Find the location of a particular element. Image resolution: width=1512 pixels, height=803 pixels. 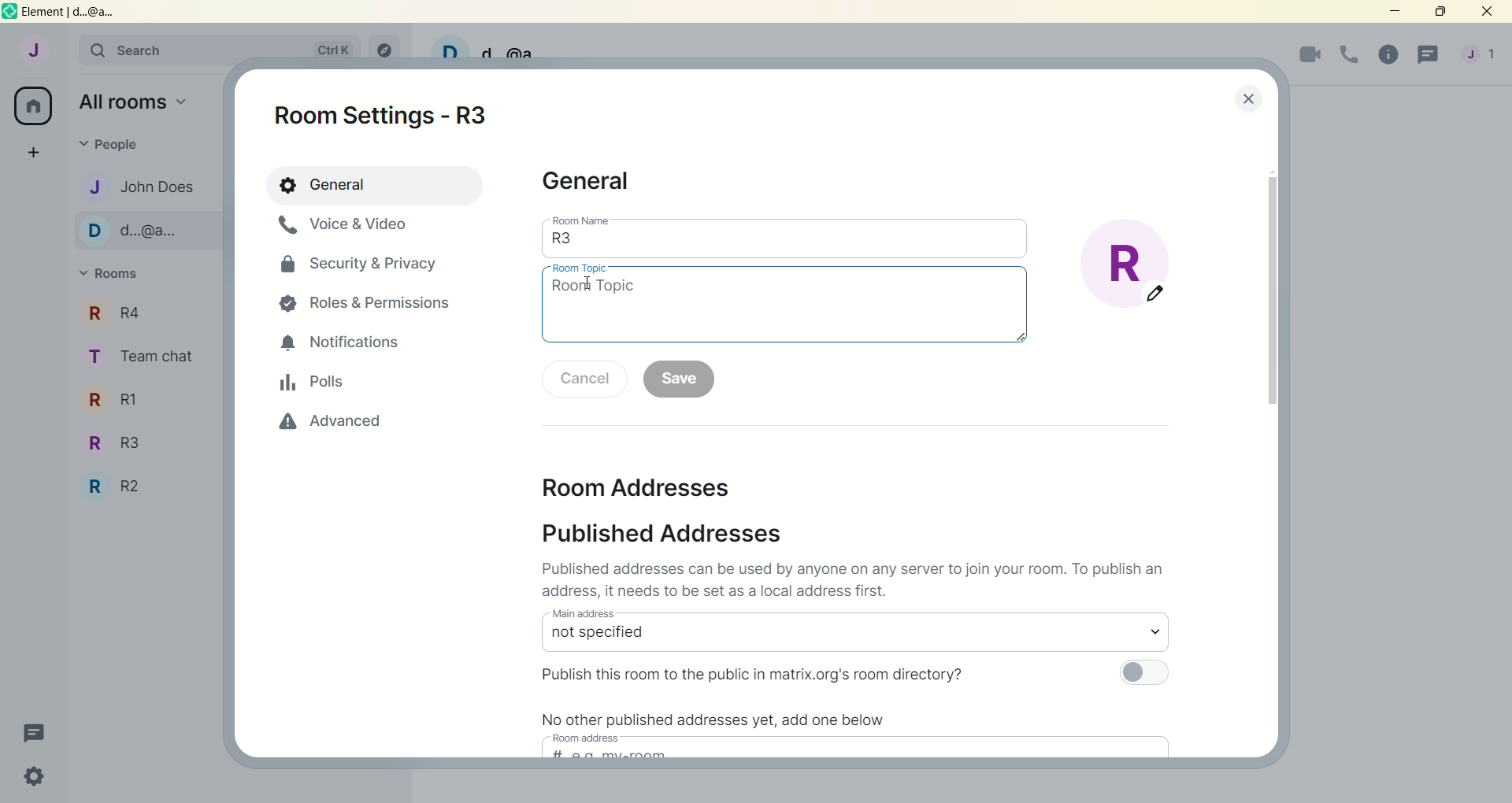

threads is located at coordinates (39, 734).